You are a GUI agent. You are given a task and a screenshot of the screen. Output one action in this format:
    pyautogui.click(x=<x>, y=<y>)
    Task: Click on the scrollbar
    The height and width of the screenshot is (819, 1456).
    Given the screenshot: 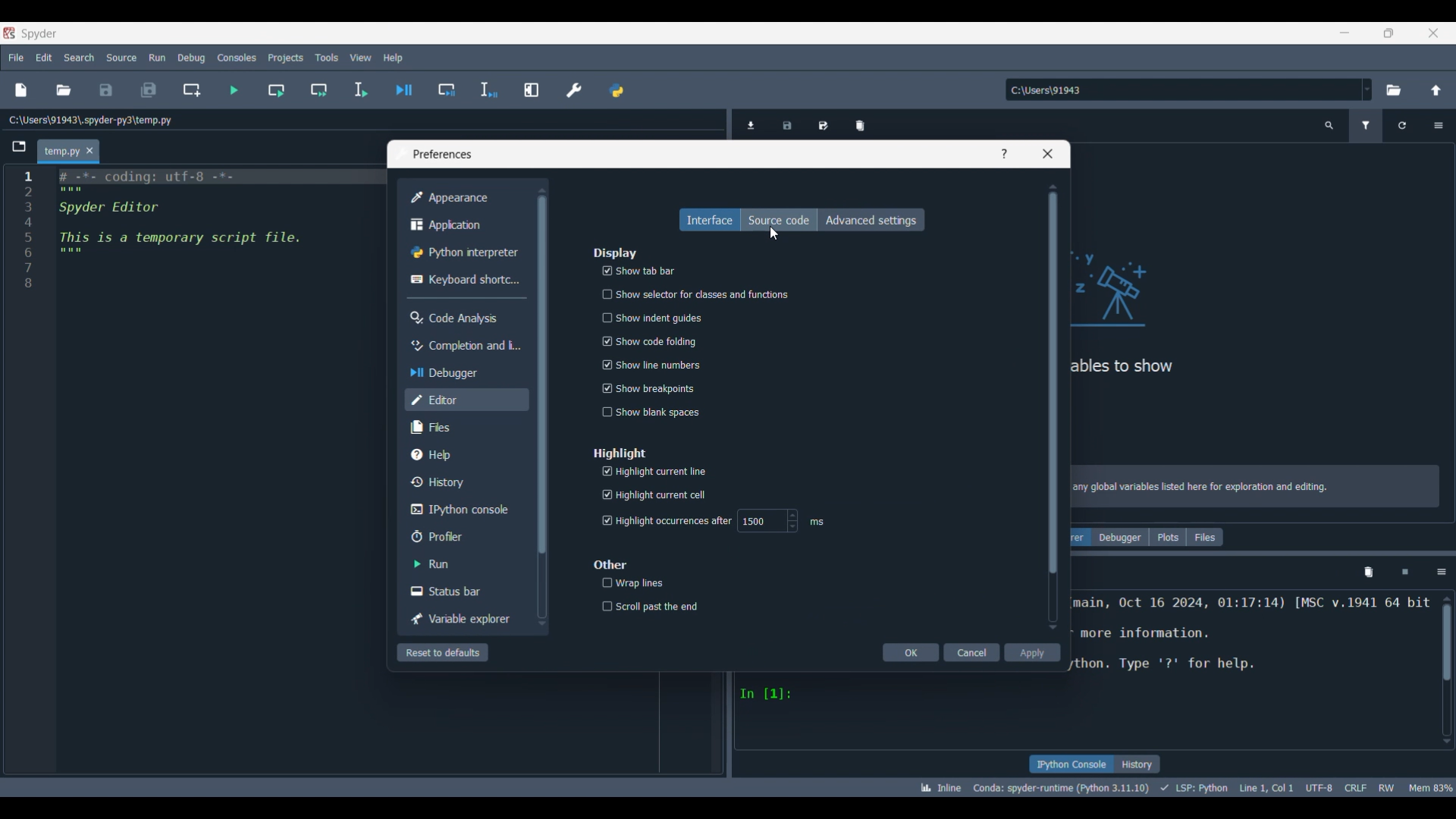 What is the action you would take?
    pyautogui.click(x=1448, y=639)
    